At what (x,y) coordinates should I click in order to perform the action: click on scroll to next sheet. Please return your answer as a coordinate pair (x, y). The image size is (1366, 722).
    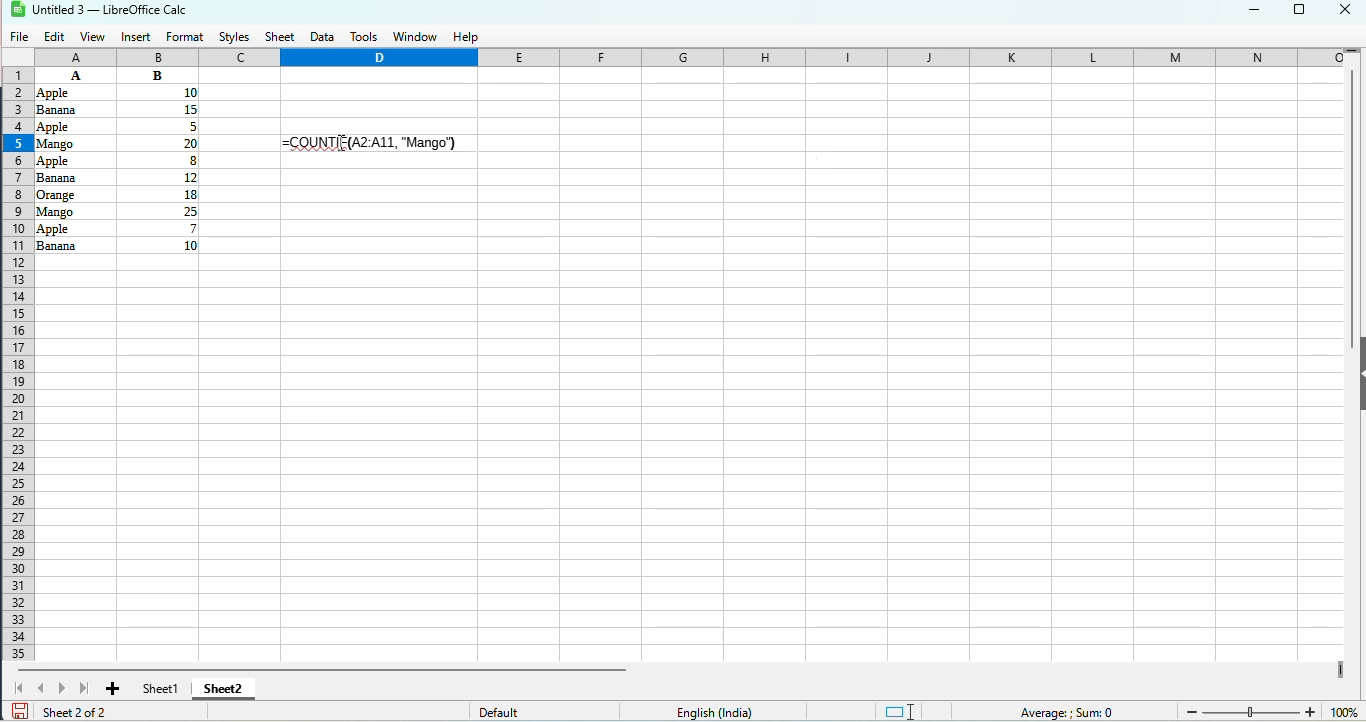
    Looking at the image, I should click on (64, 688).